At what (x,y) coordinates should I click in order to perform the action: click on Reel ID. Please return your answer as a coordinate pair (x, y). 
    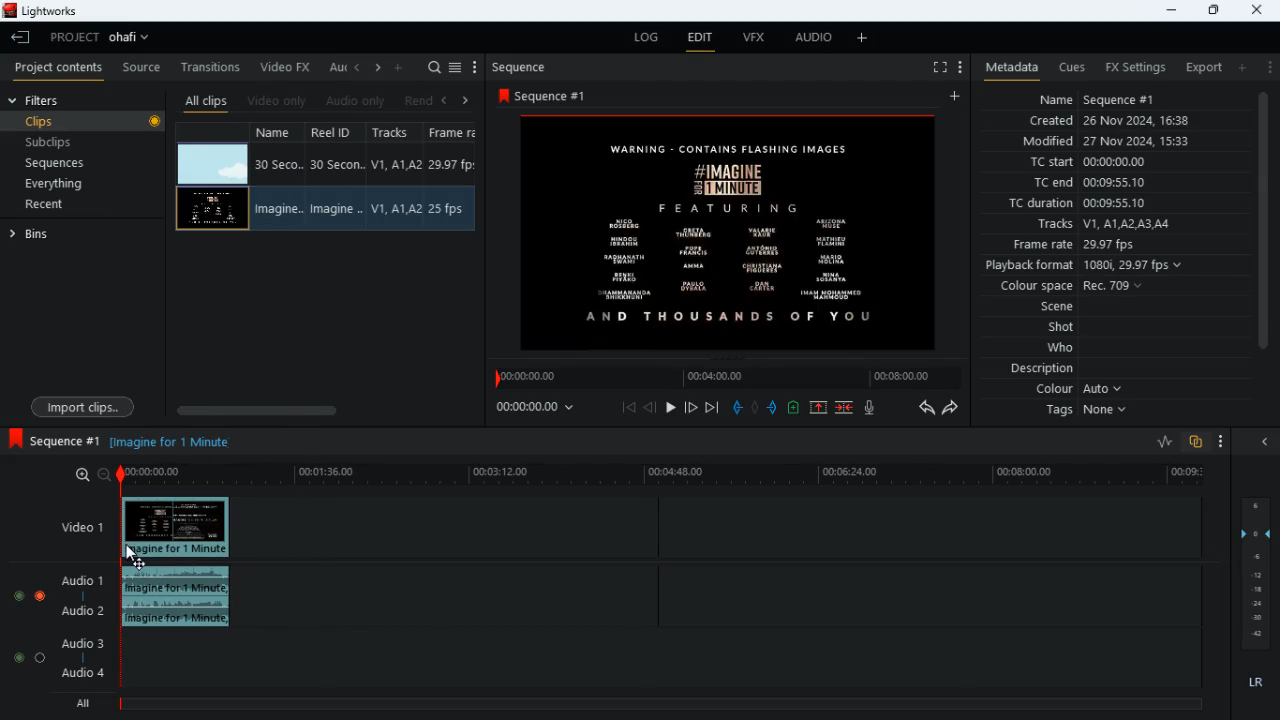
    Looking at the image, I should click on (338, 165).